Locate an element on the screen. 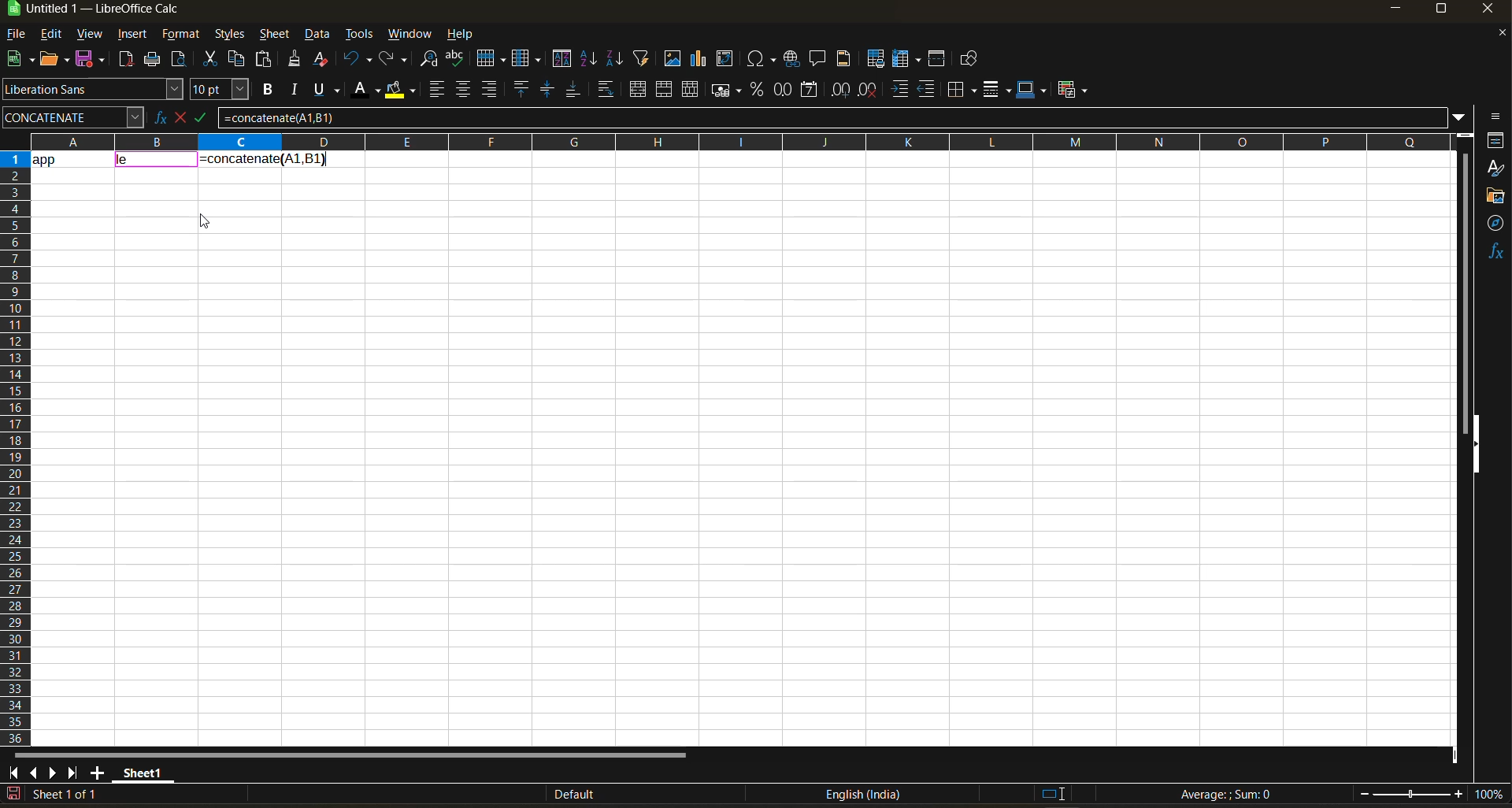  redo  is located at coordinates (395, 60).